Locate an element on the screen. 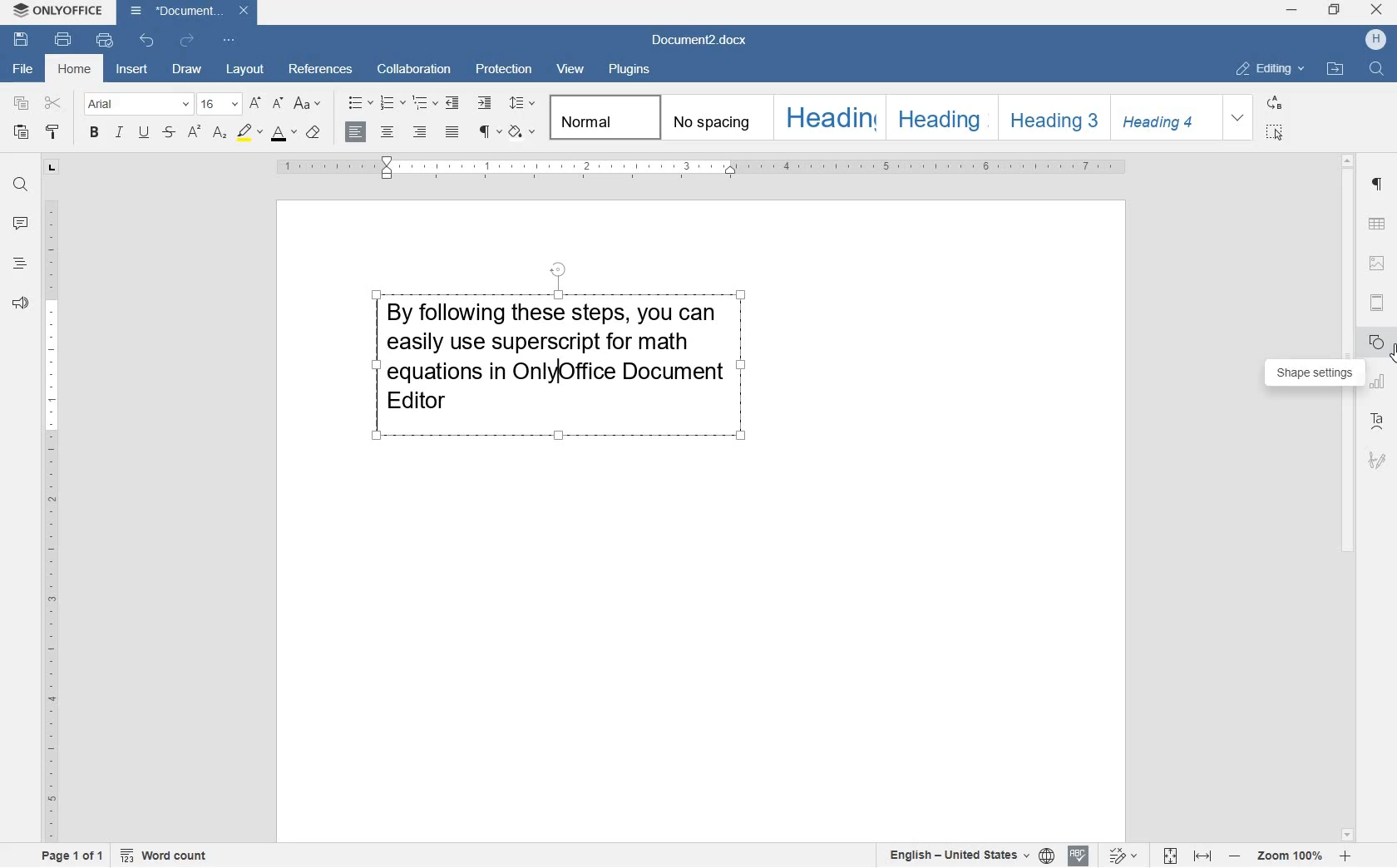 The image size is (1397, 868). bold is located at coordinates (94, 133).